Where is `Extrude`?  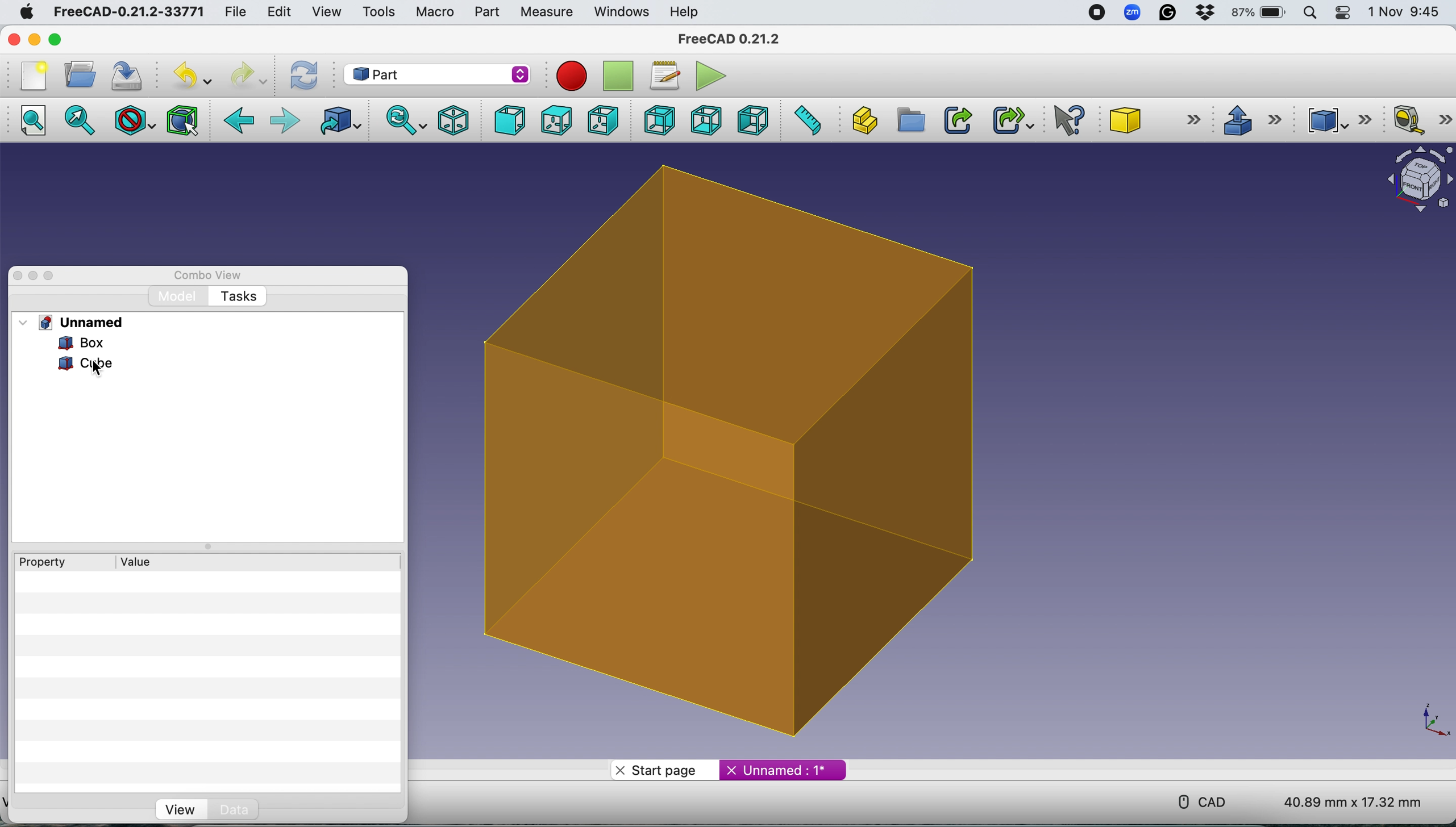 Extrude is located at coordinates (1251, 119).